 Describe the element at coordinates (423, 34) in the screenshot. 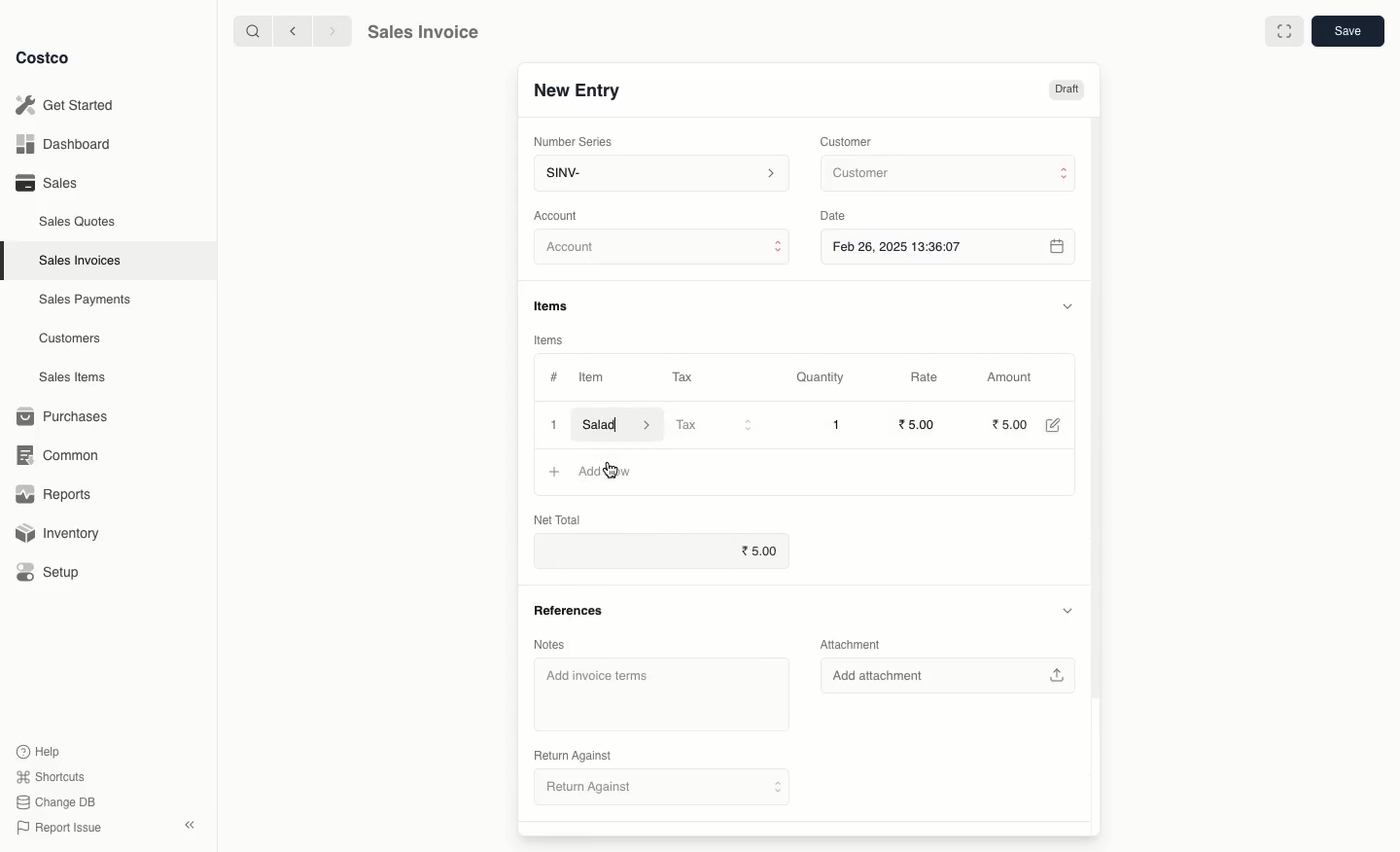

I see `Sales Invoice` at that location.